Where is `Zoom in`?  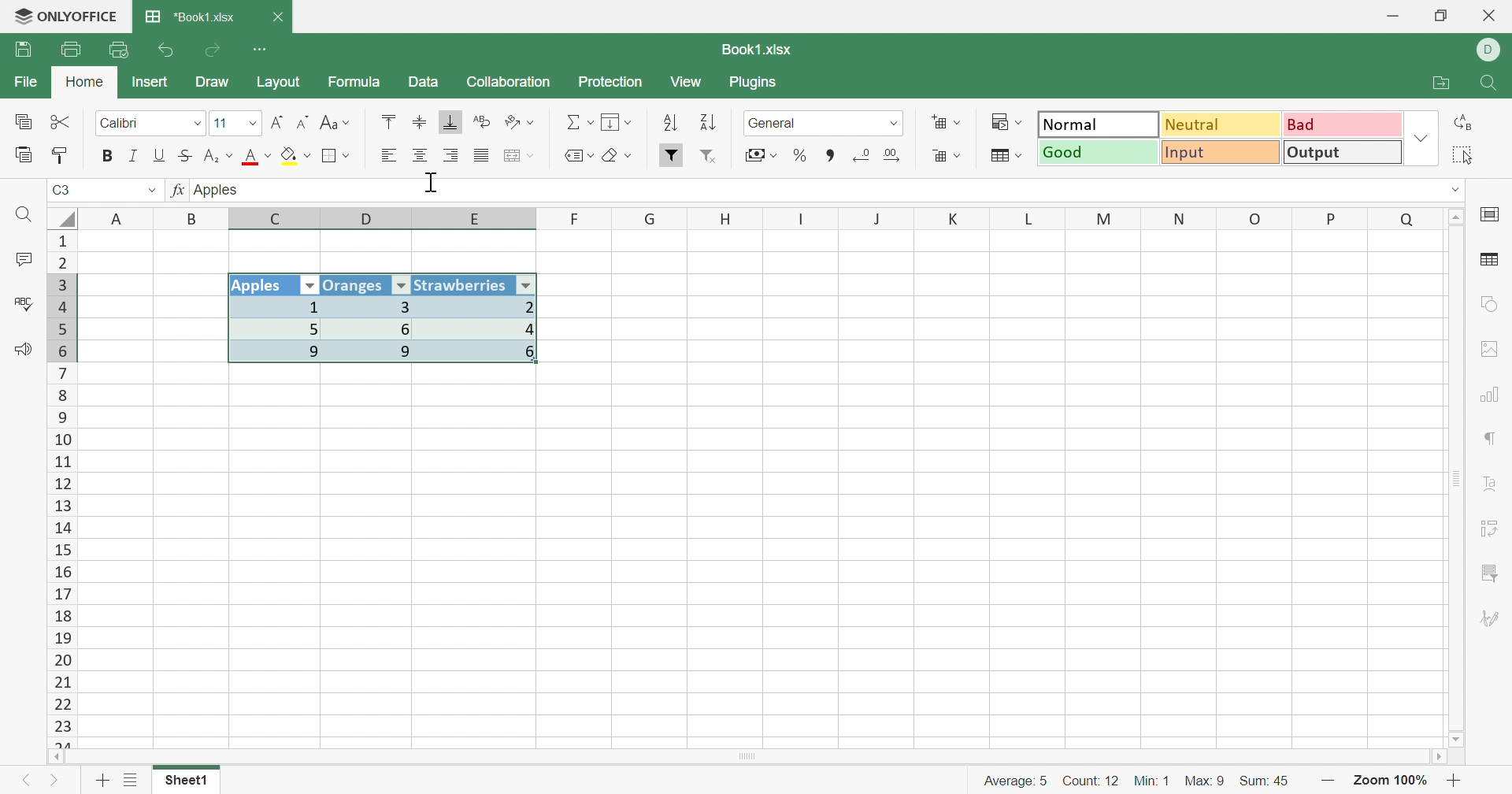 Zoom in is located at coordinates (1458, 781).